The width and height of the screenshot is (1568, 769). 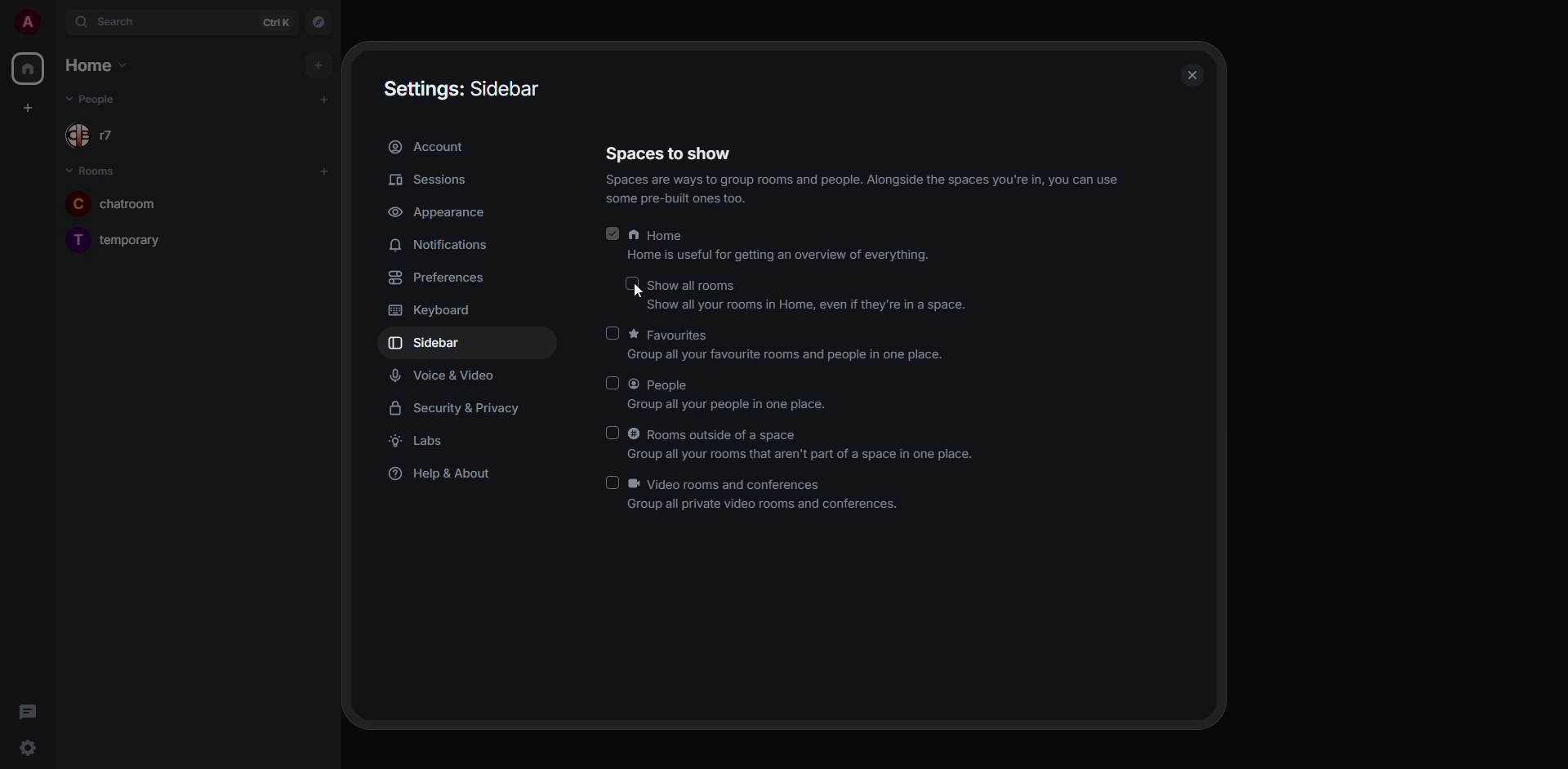 What do you see at coordinates (327, 100) in the screenshot?
I see `add` at bounding box center [327, 100].